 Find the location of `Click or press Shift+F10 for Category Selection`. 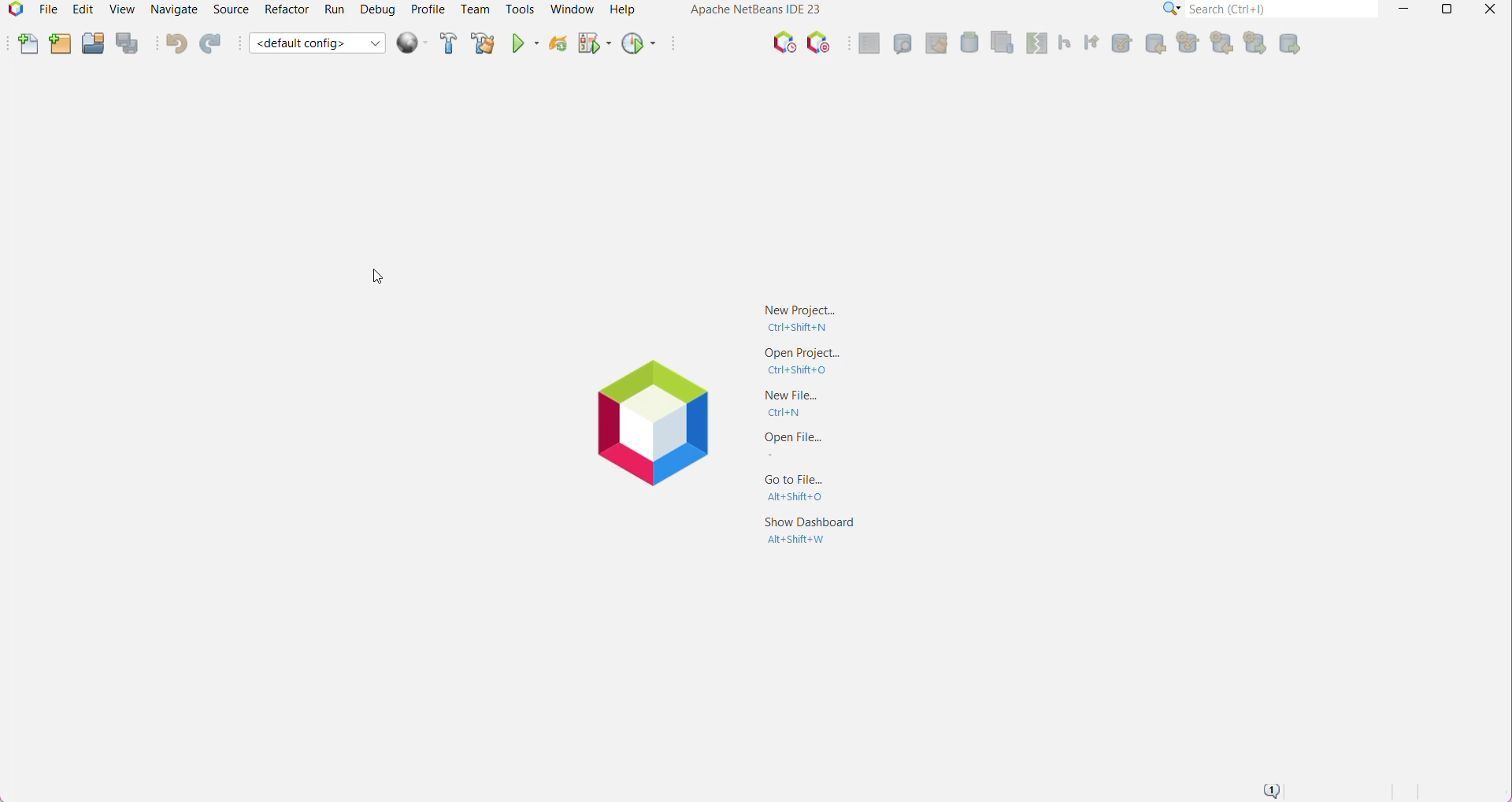

Click or press Shift+F10 for Category Selection is located at coordinates (1172, 9).